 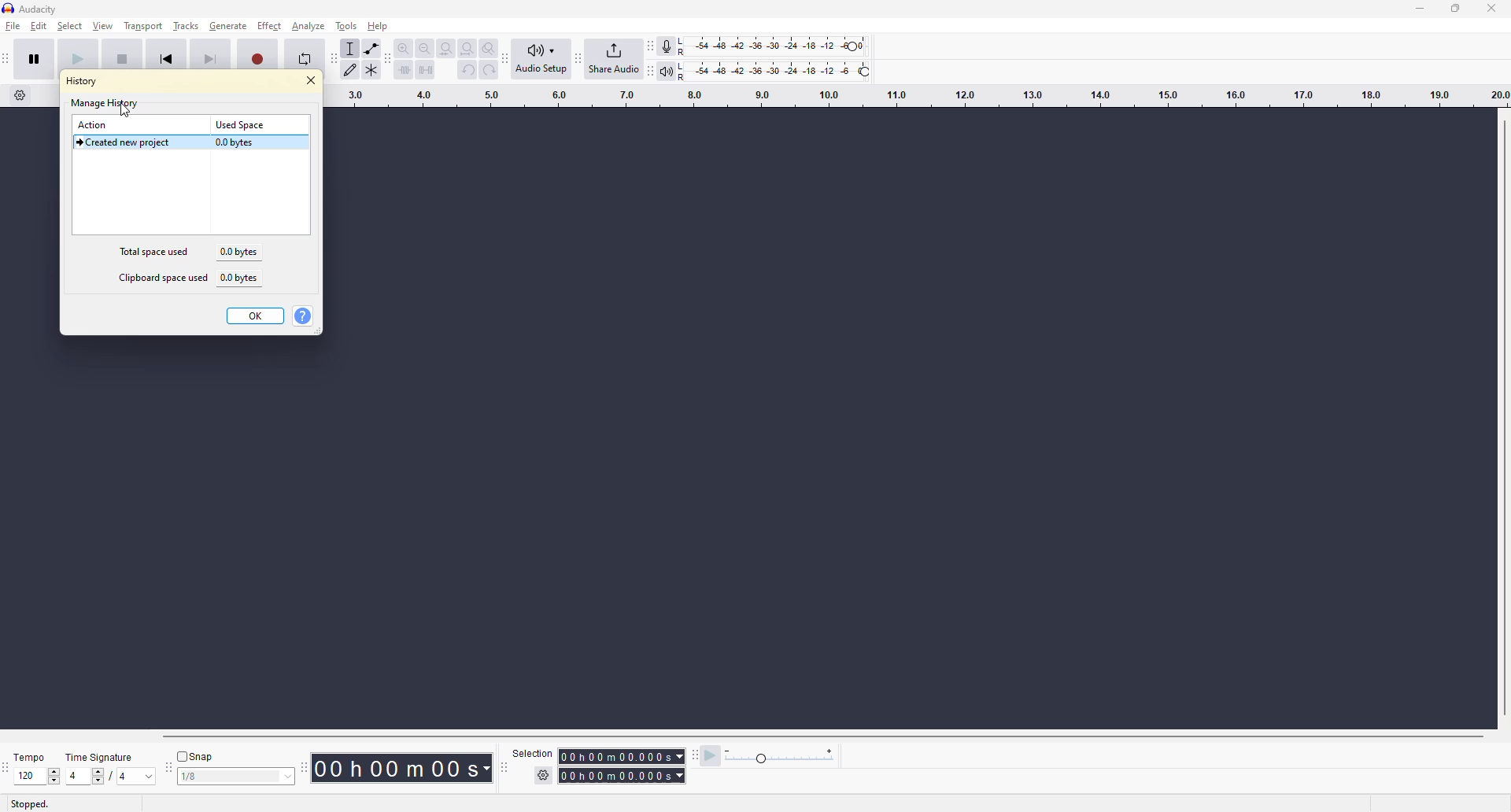 I want to click on record meter, so click(x=671, y=45).